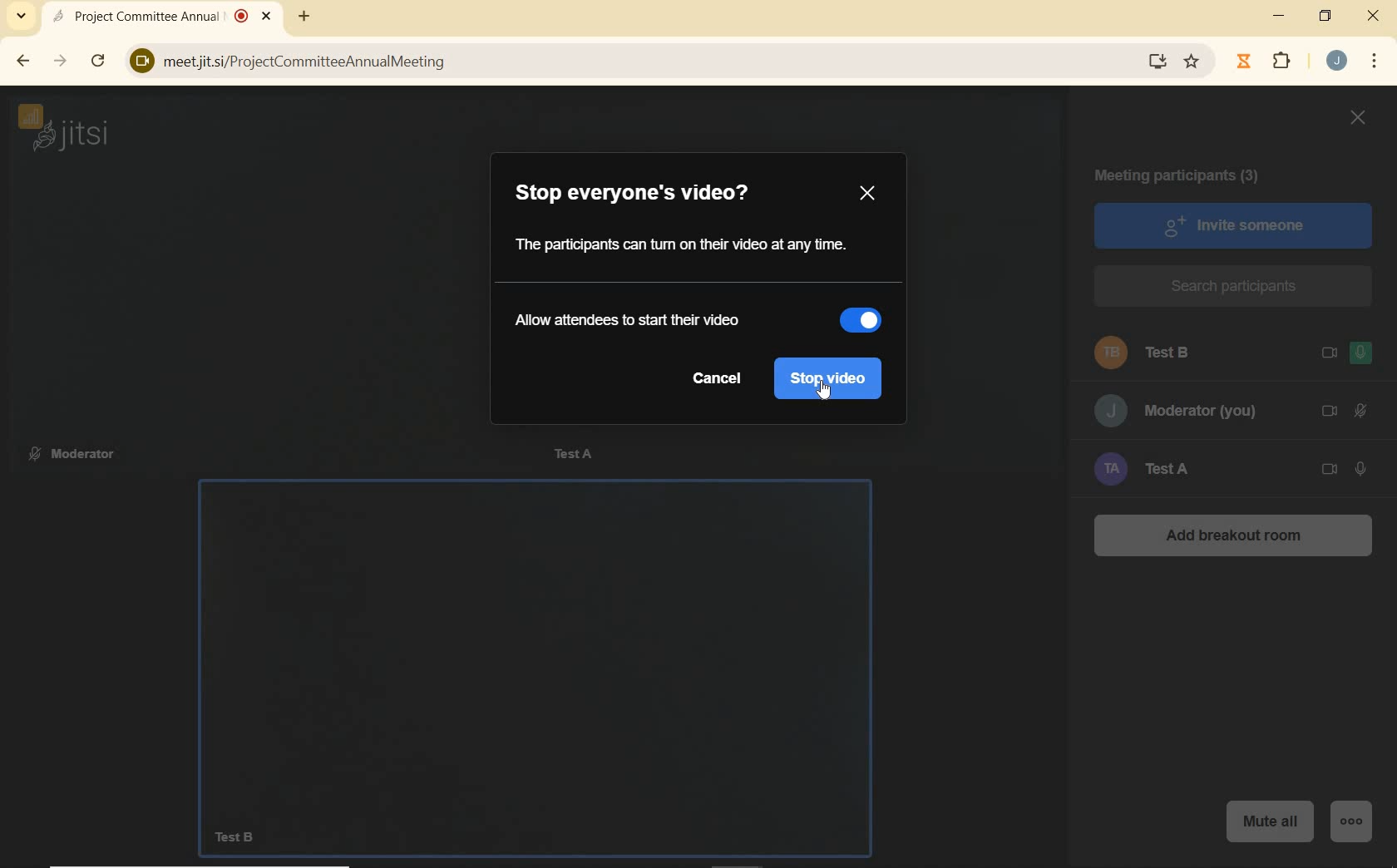 The height and width of the screenshot is (868, 1397). I want to click on EXTENSION, so click(1281, 60).